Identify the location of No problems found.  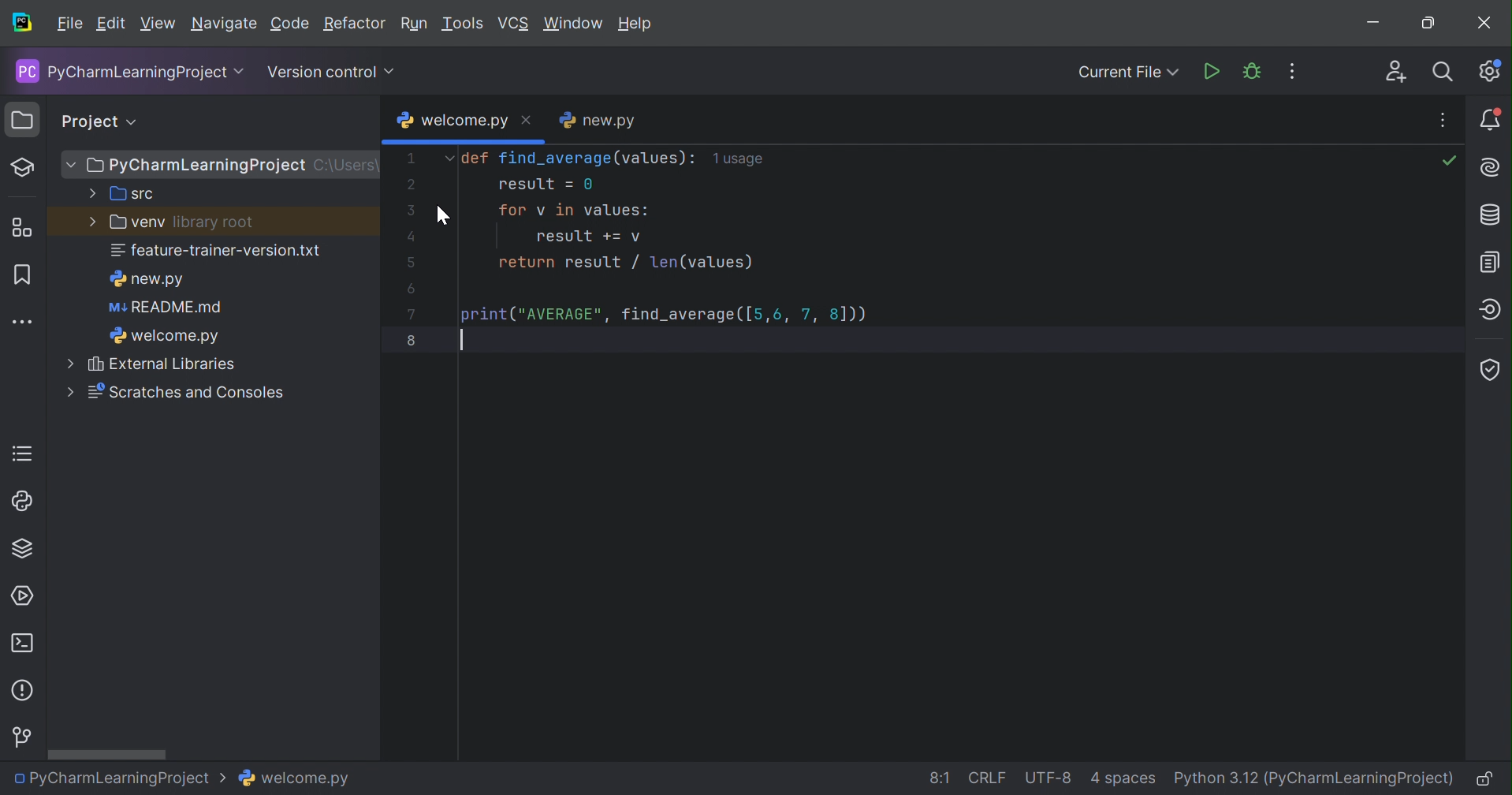
(1448, 162).